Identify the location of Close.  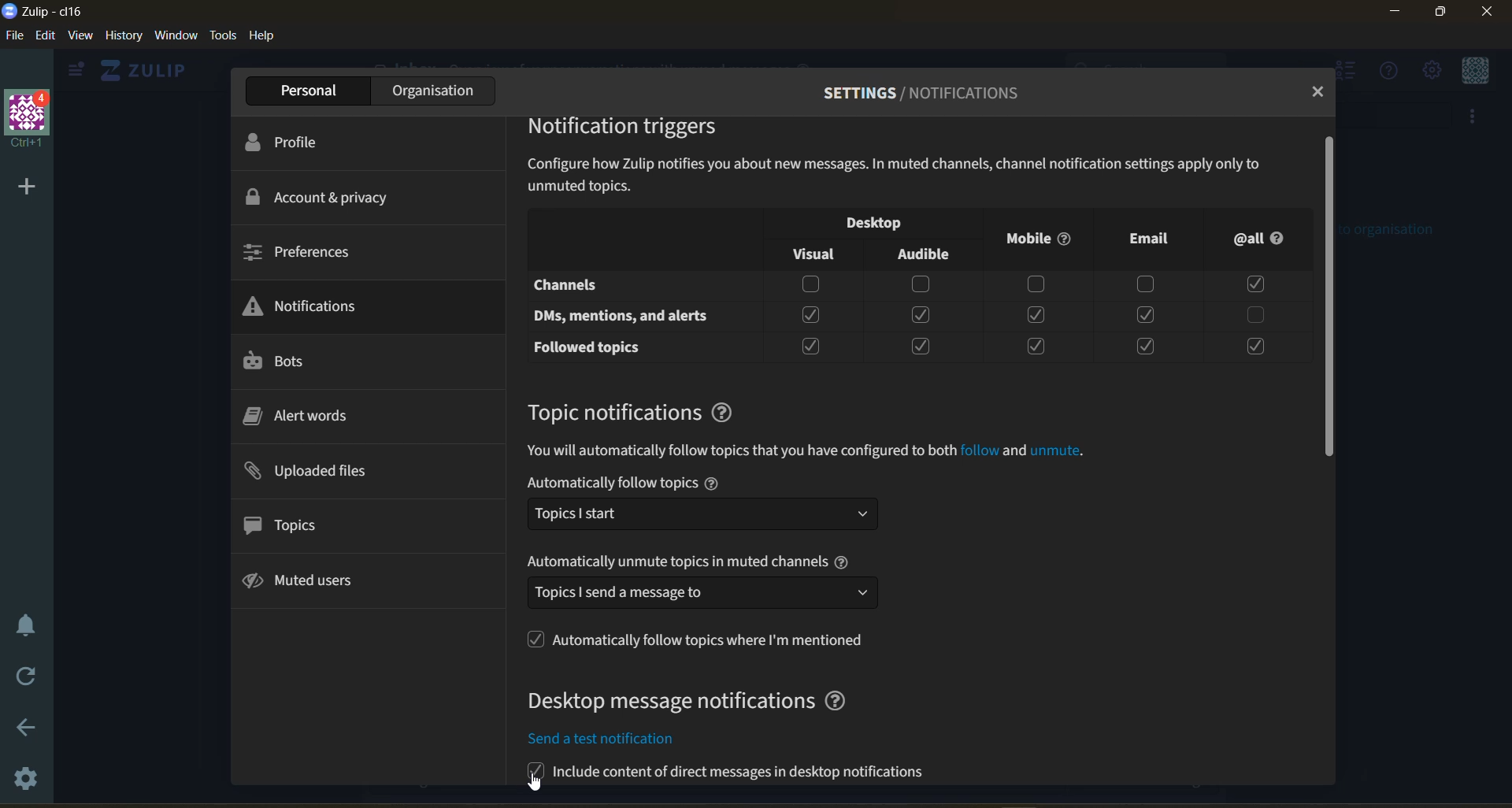
(1487, 17).